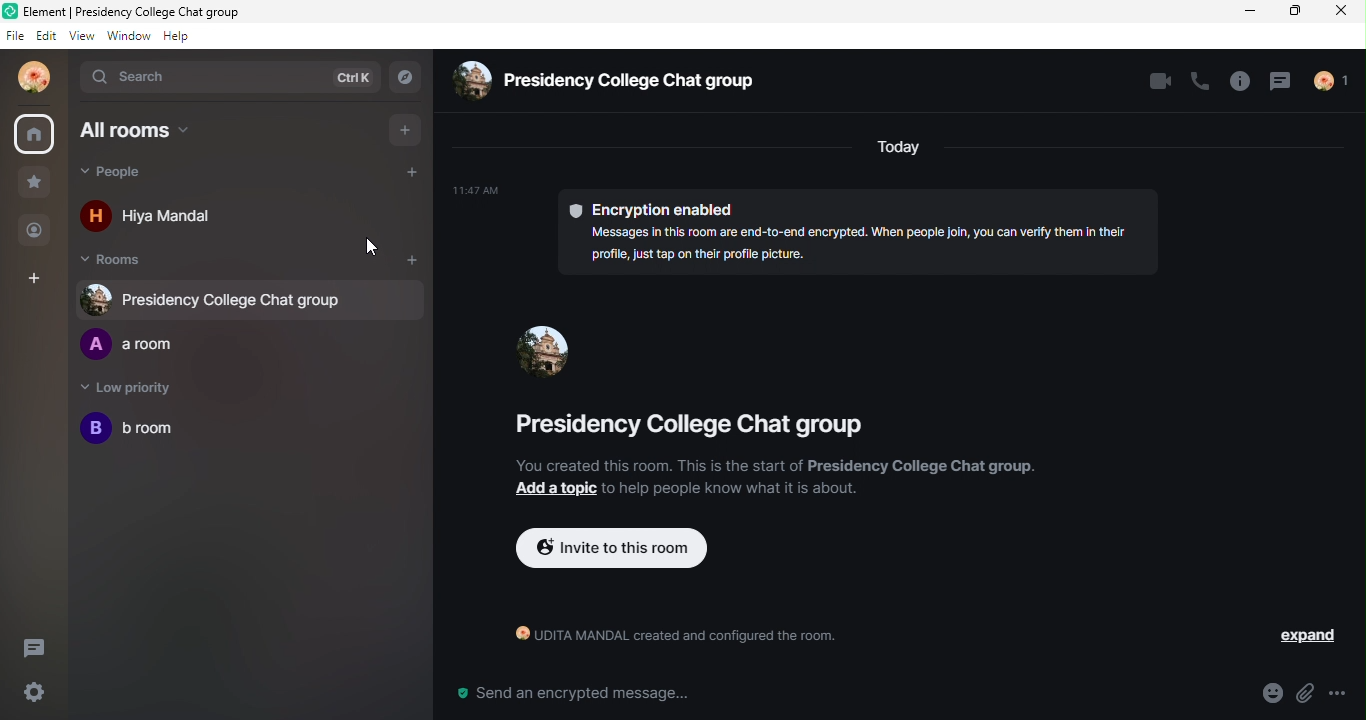  I want to click on people, so click(171, 176).